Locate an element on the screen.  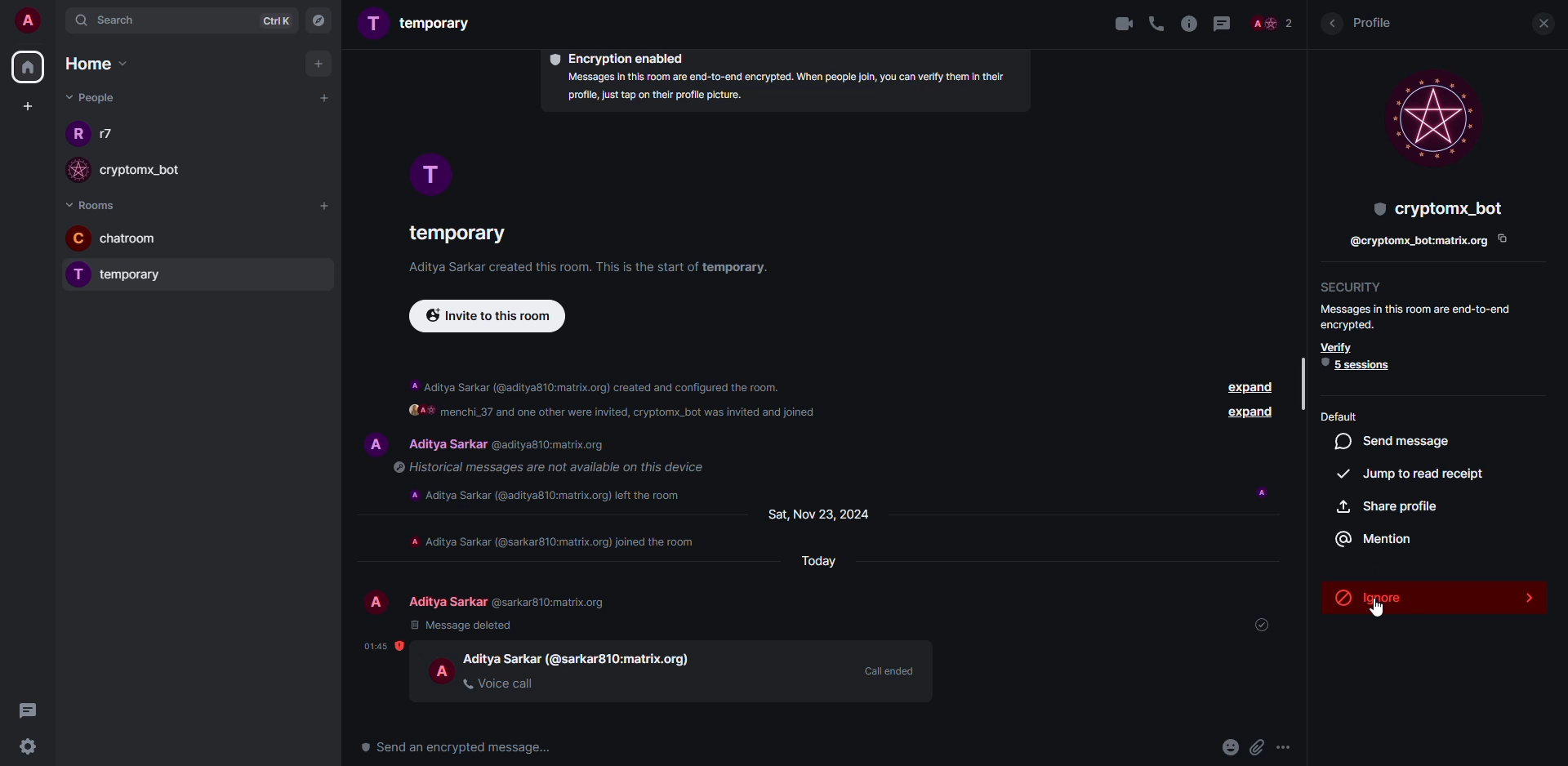
expand is located at coordinates (1531, 598).